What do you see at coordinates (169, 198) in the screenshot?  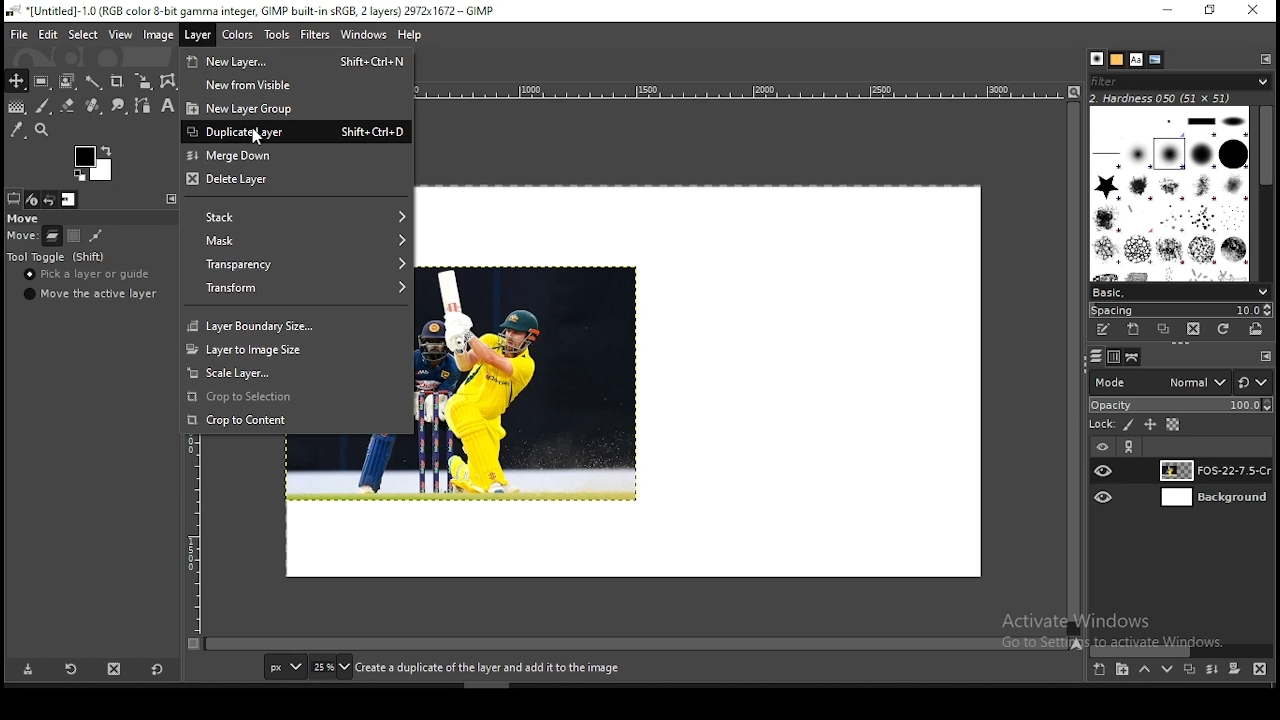 I see `tool` at bounding box center [169, 198].